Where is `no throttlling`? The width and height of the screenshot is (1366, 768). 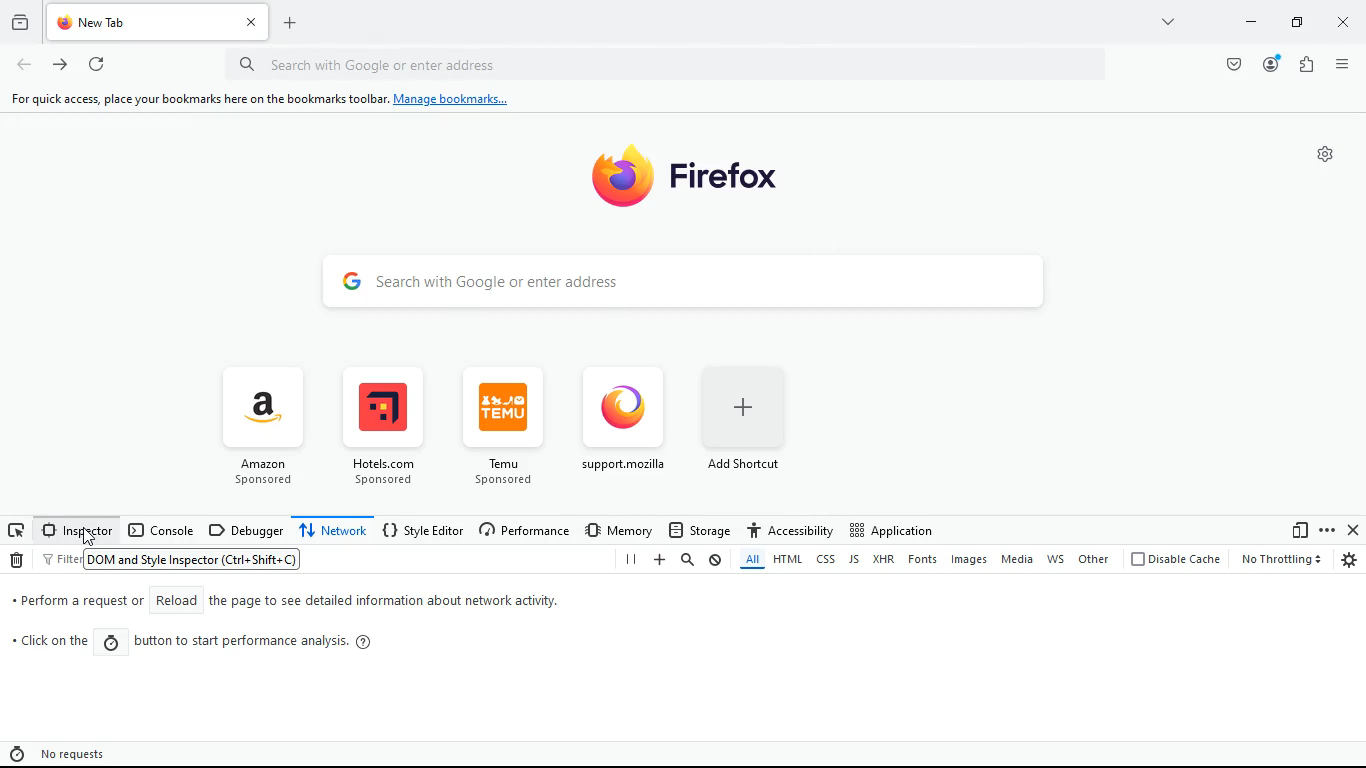 no throttlling is located at coordinates (1278, 559).